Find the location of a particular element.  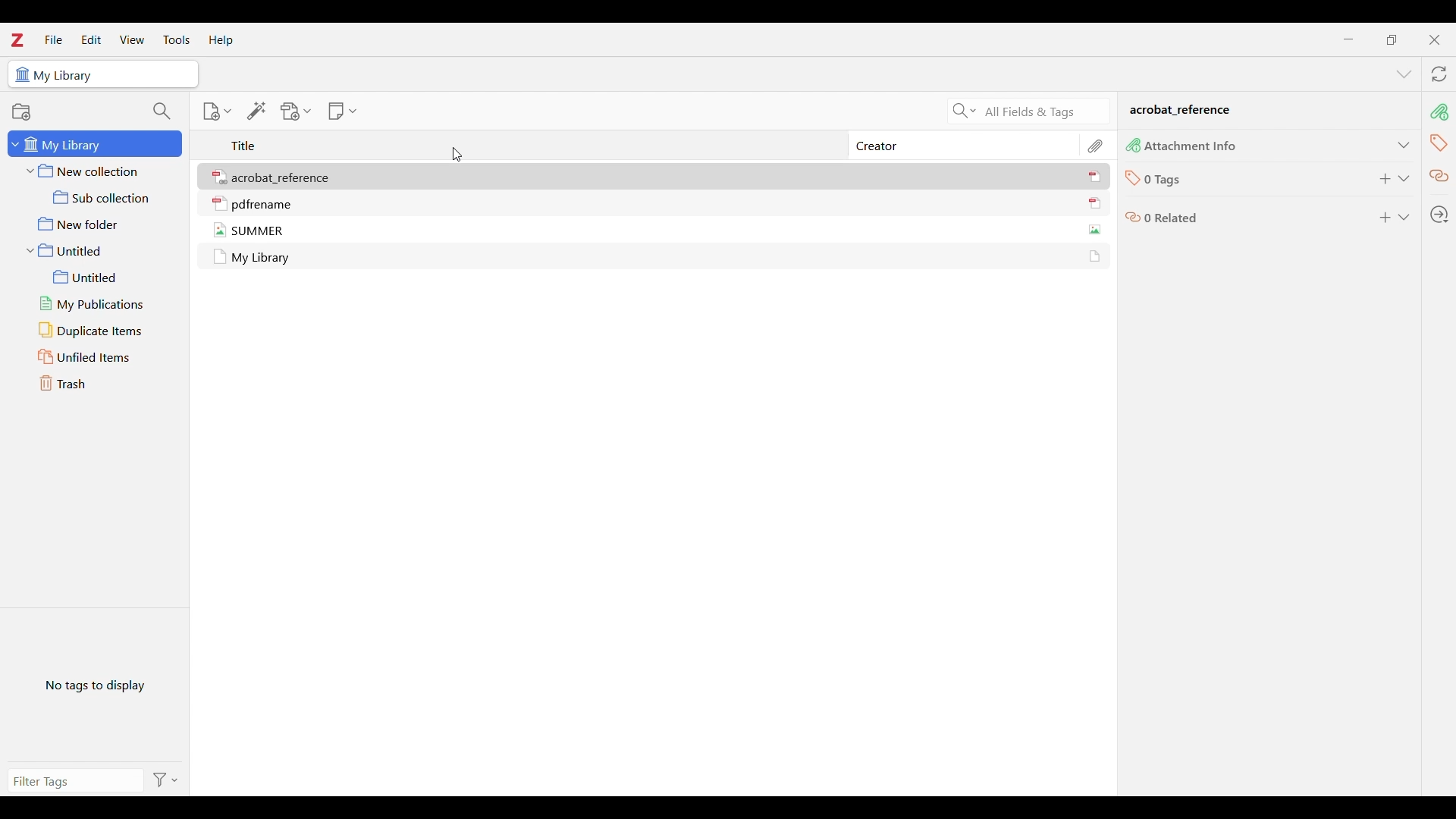

Type in filter tags is located at coordinates (65, 782).